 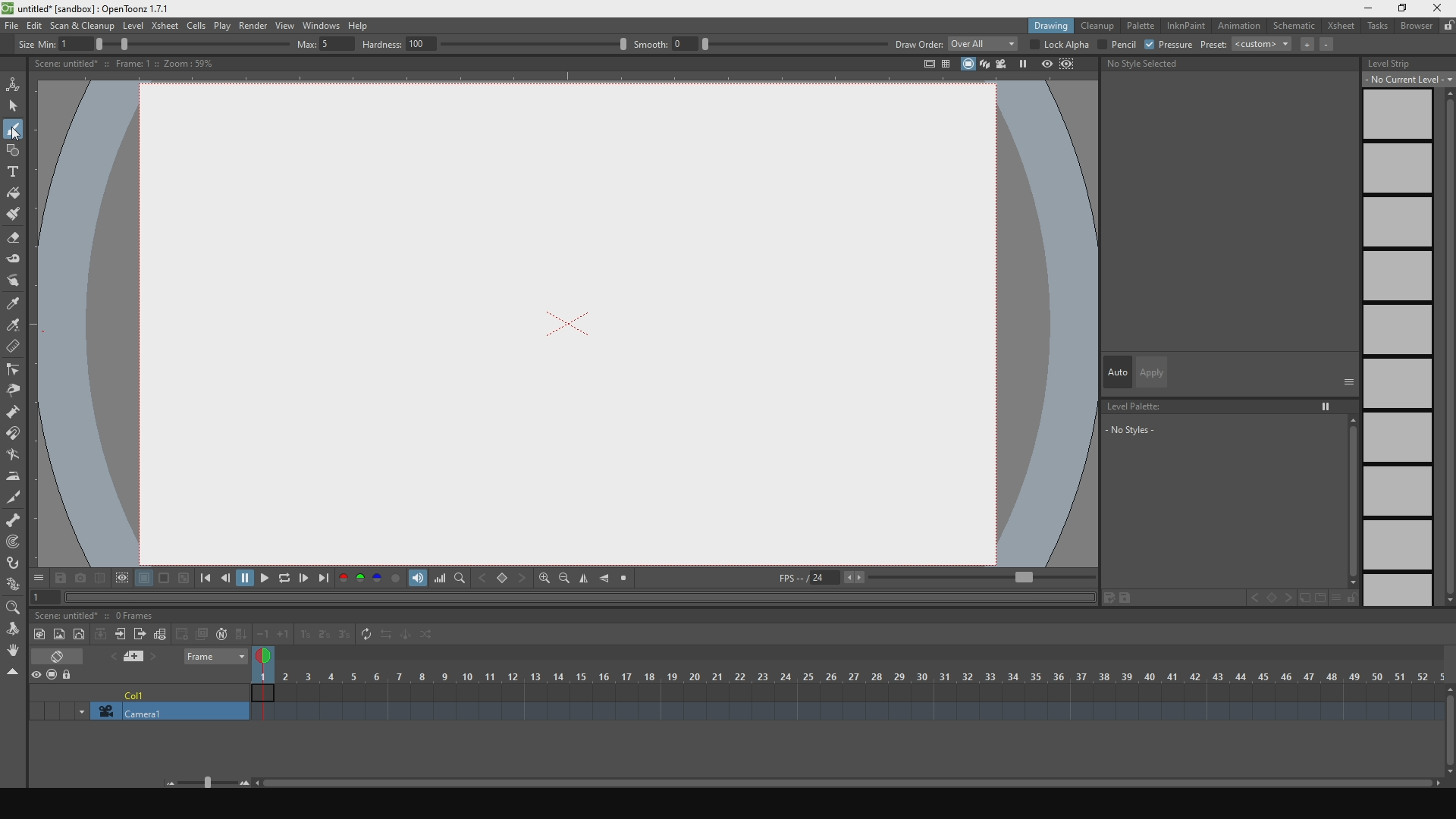 What do you see at coordinates (17, 134) in the screenshot?
I see `cursor` at bounding box center [17, 134].